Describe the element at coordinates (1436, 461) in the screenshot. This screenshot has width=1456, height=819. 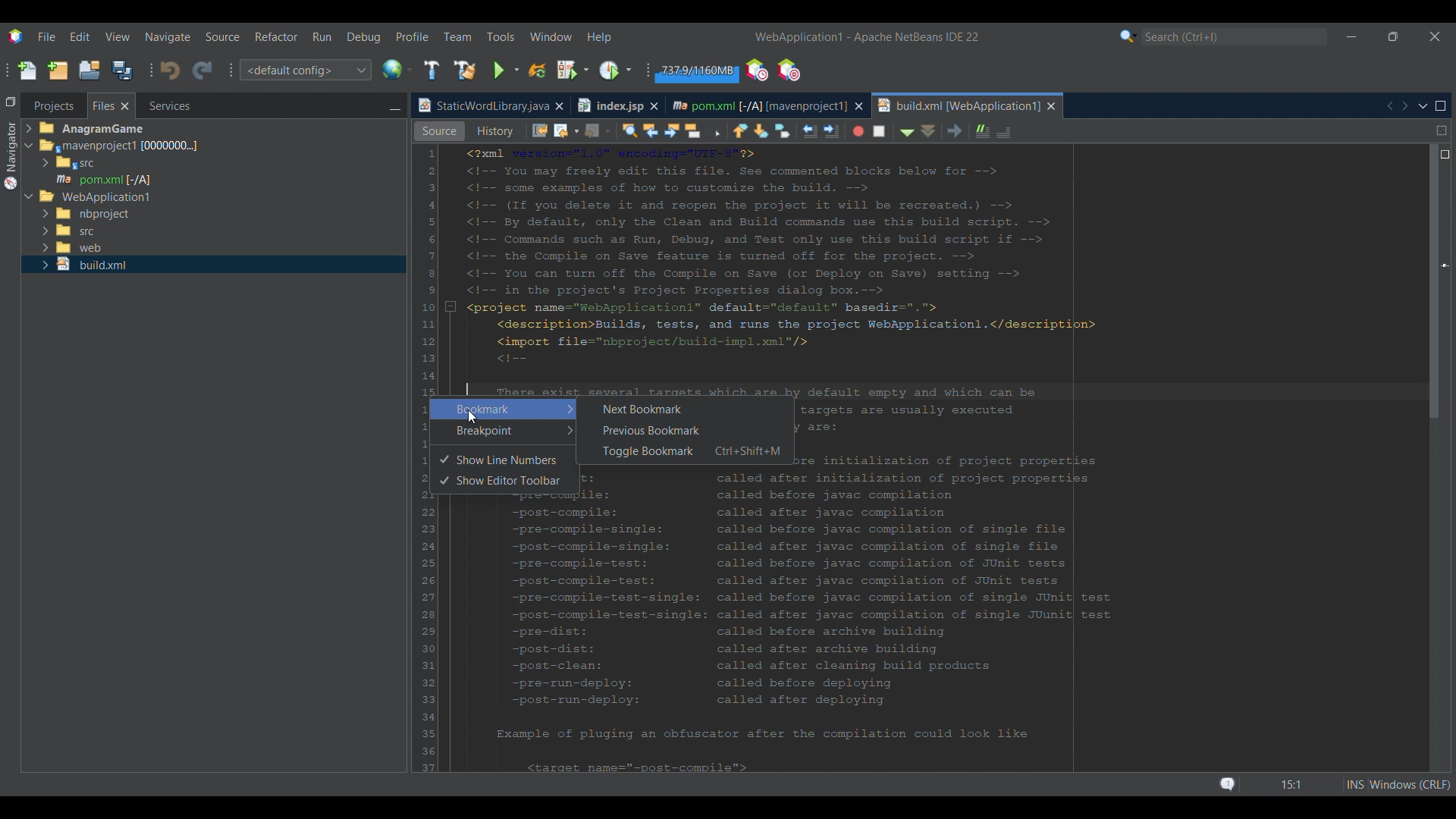
I see `Vertical slide bar` at that location.